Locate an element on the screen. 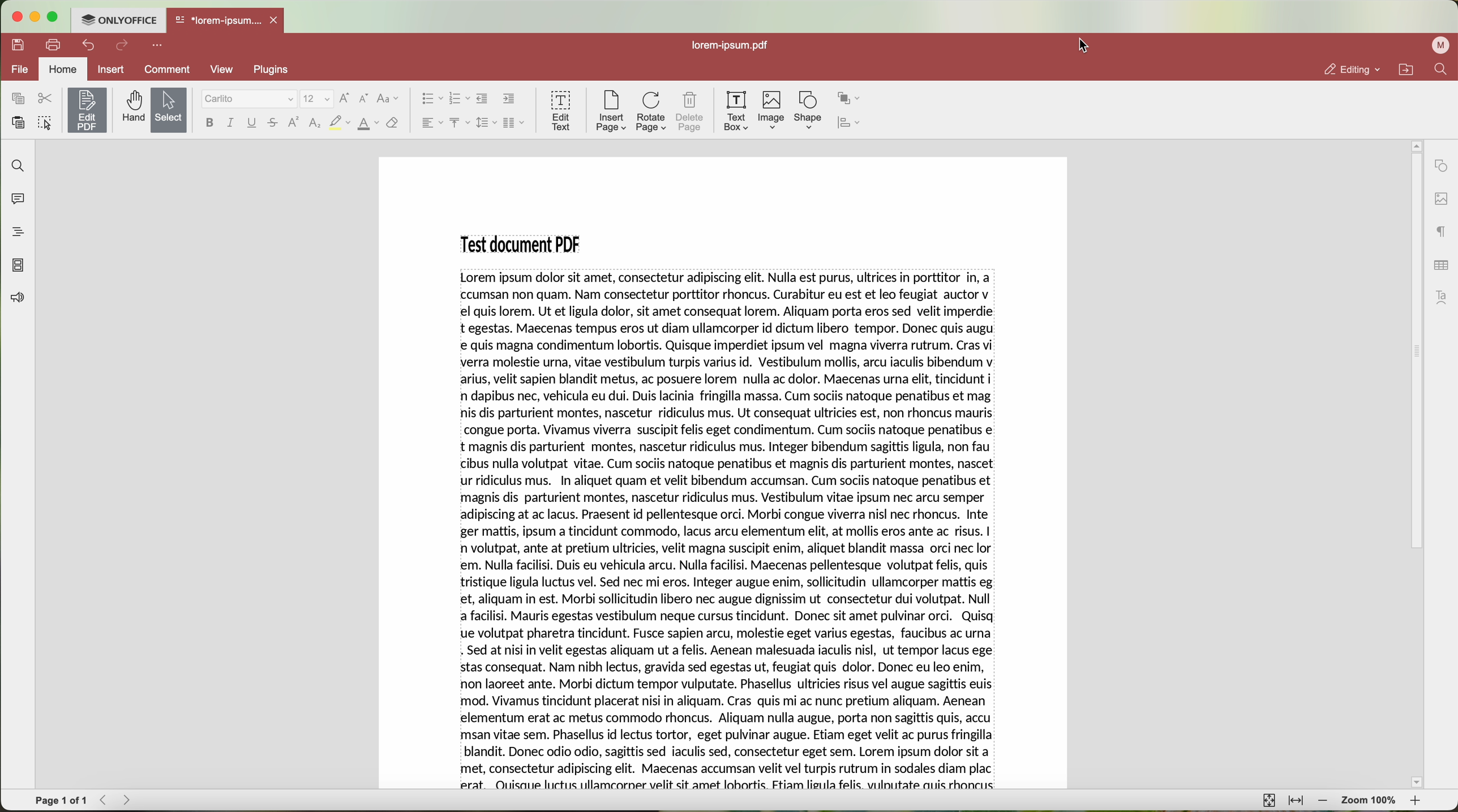 The height and width of the screenshot is (812, 1458). edit text is located at coordinates (559, 111).